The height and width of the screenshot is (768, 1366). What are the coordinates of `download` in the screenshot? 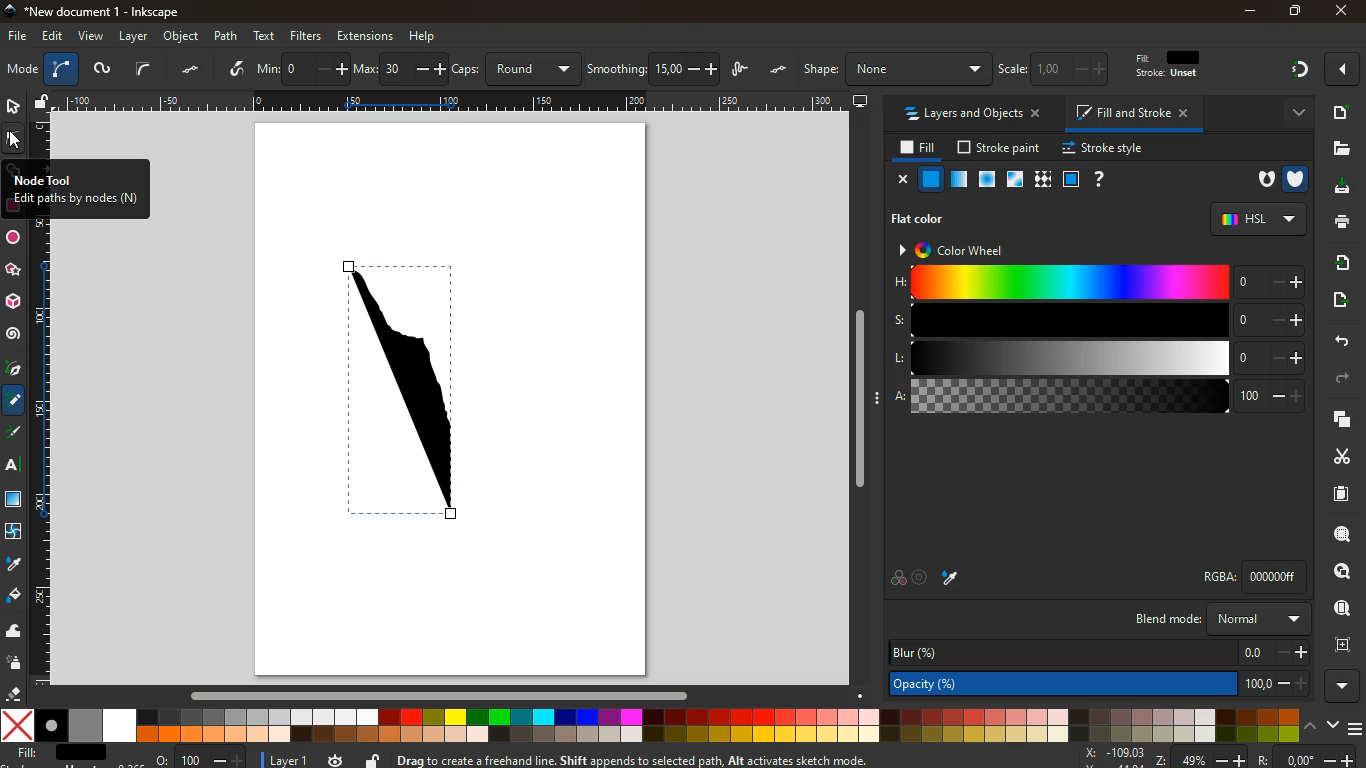 It's located at (1339, 189).